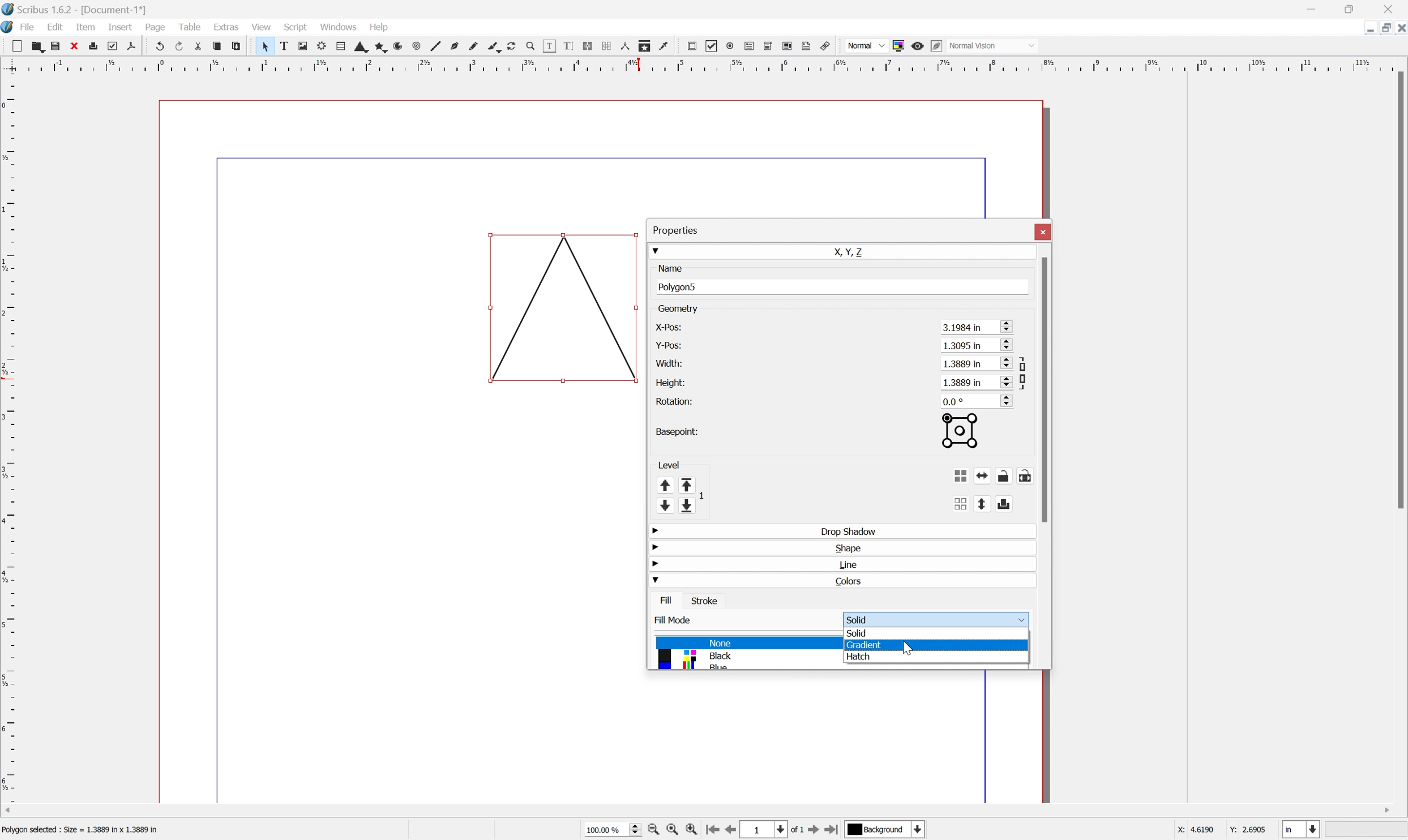 The height and width of the screenshot is (840, 1408). Describe the element at coordinates (322, 47) in the screenshot. I see `Render frame` at that location.